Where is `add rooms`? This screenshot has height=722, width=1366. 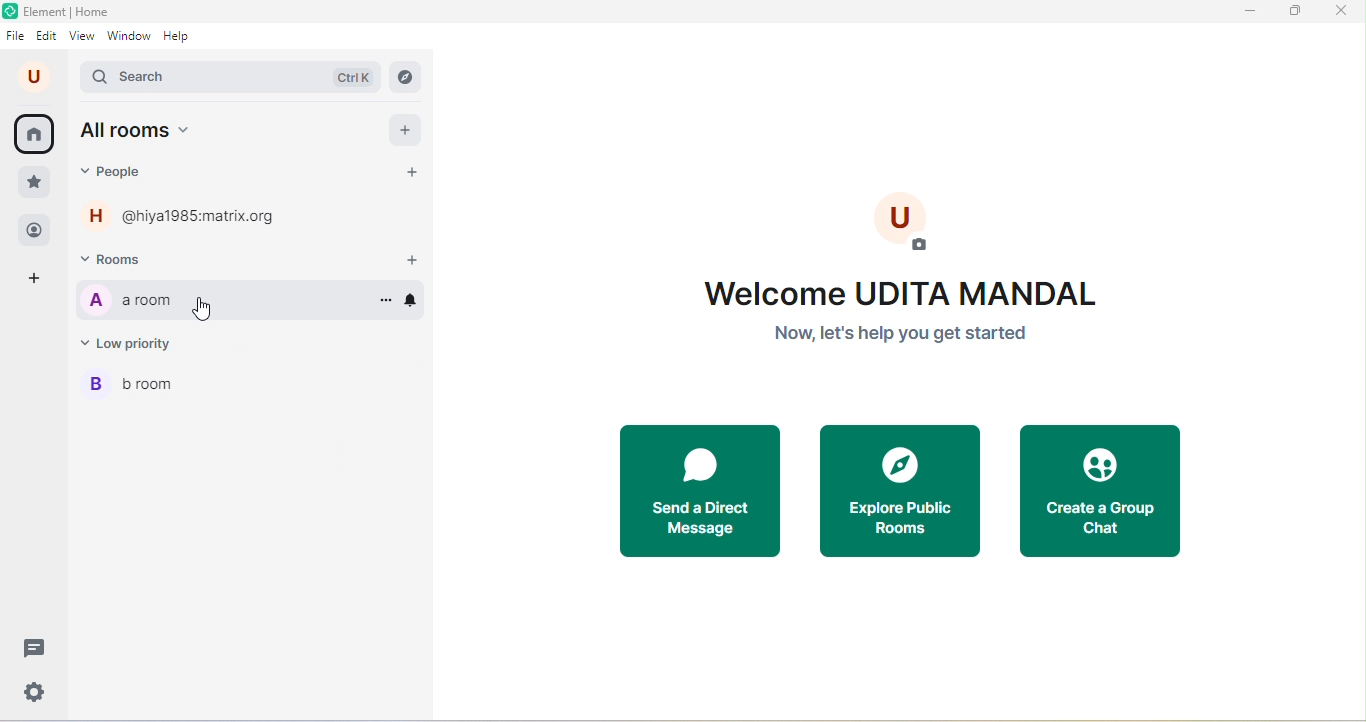
add rooms is located at coordinates (412, 262).